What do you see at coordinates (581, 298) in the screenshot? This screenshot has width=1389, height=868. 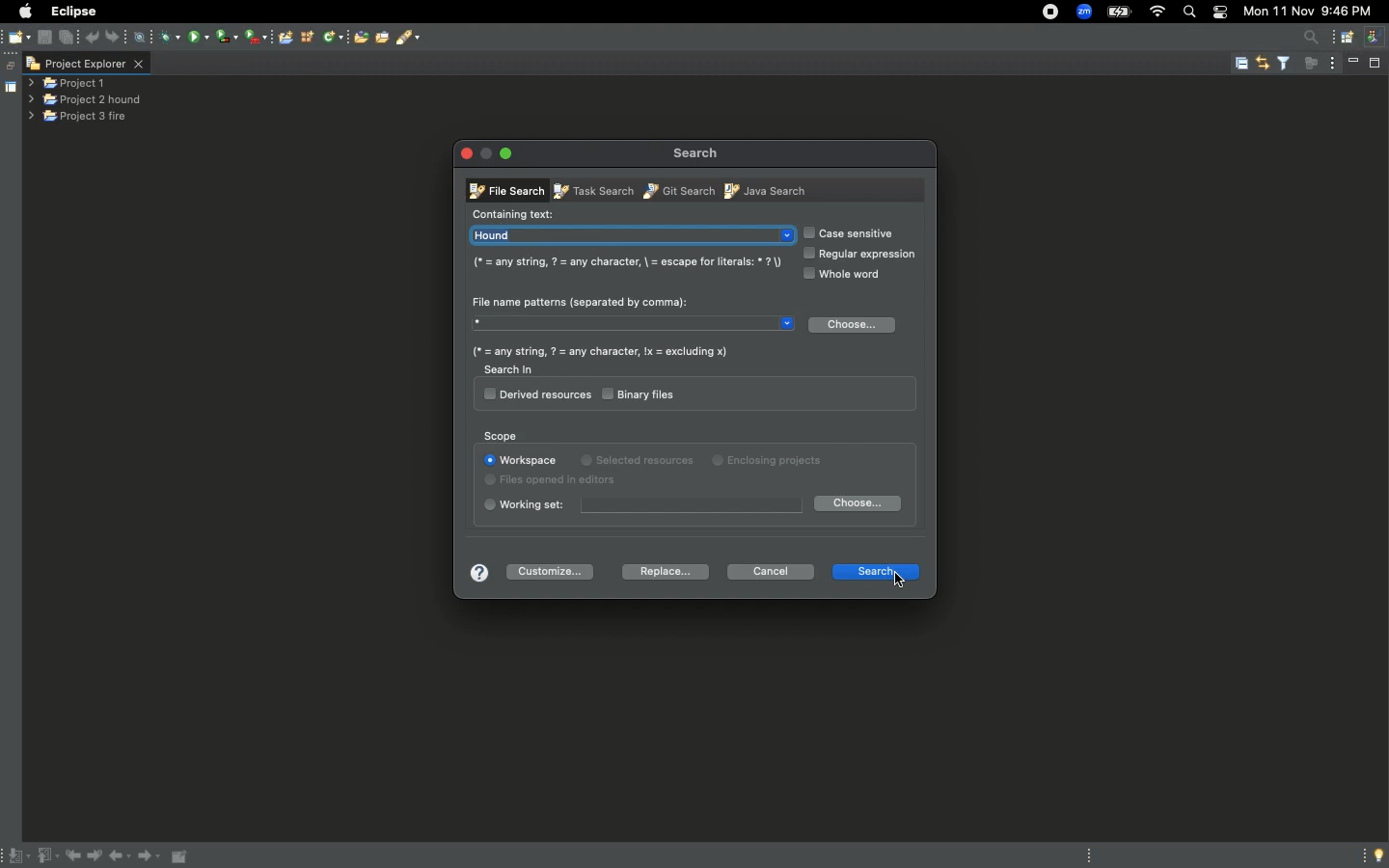 I see `File name patterns (seperated by comma):` at bounding box center [581, 298].